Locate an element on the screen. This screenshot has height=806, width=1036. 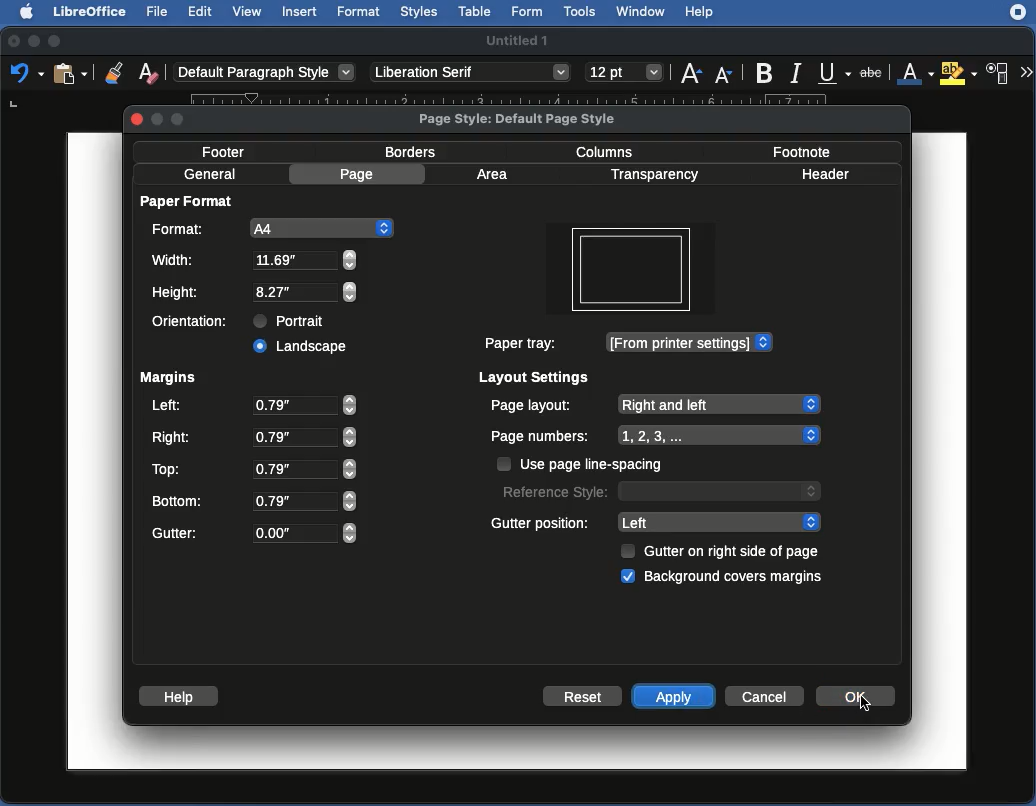
checkbox is located at coordinates (628, 577).